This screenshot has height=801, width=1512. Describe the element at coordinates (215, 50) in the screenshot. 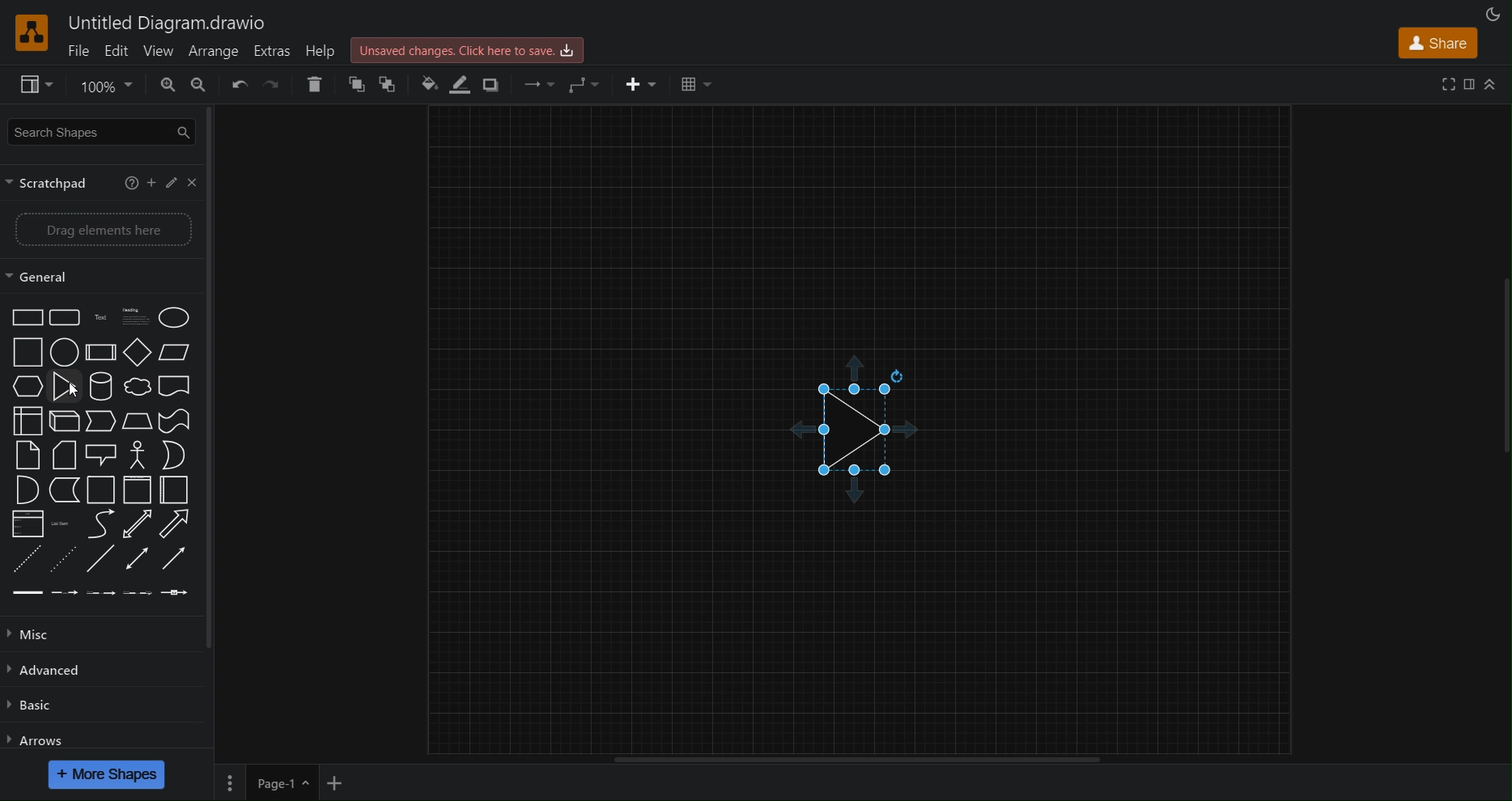

I see `Arrange` at that location.